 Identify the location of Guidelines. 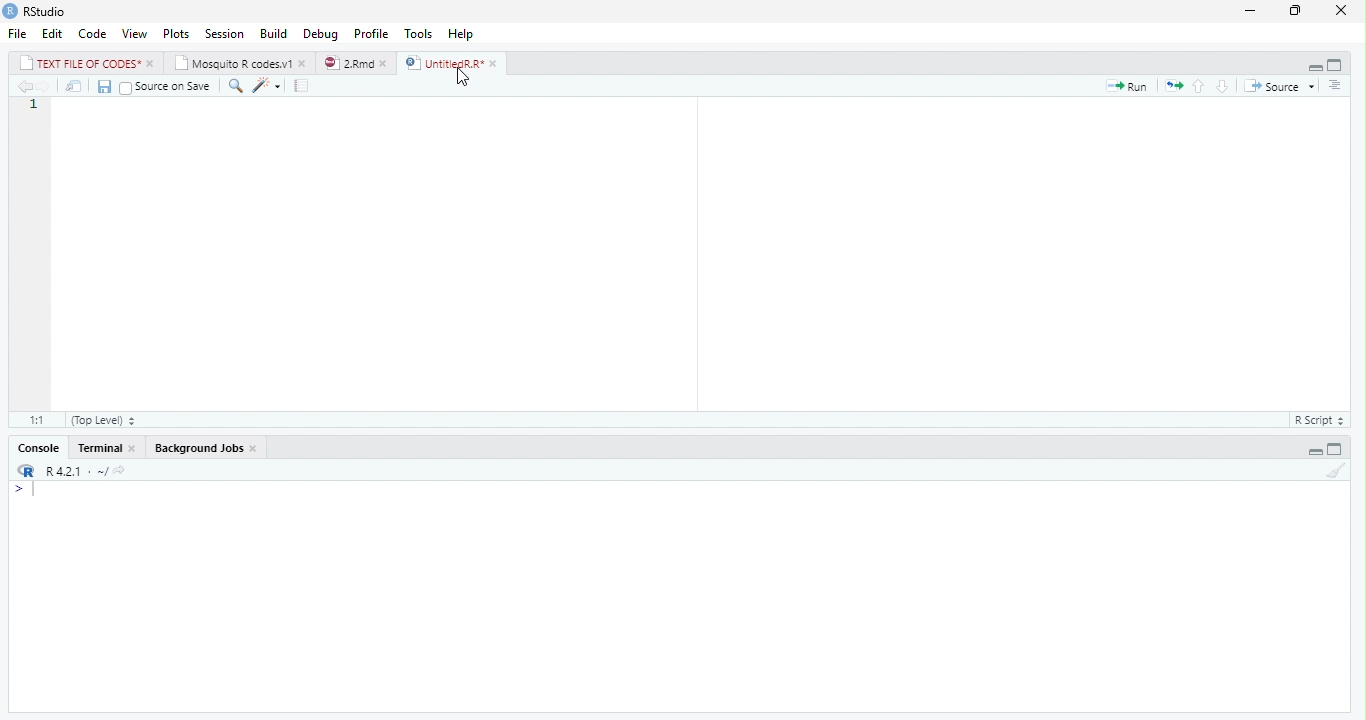
(303, 86).